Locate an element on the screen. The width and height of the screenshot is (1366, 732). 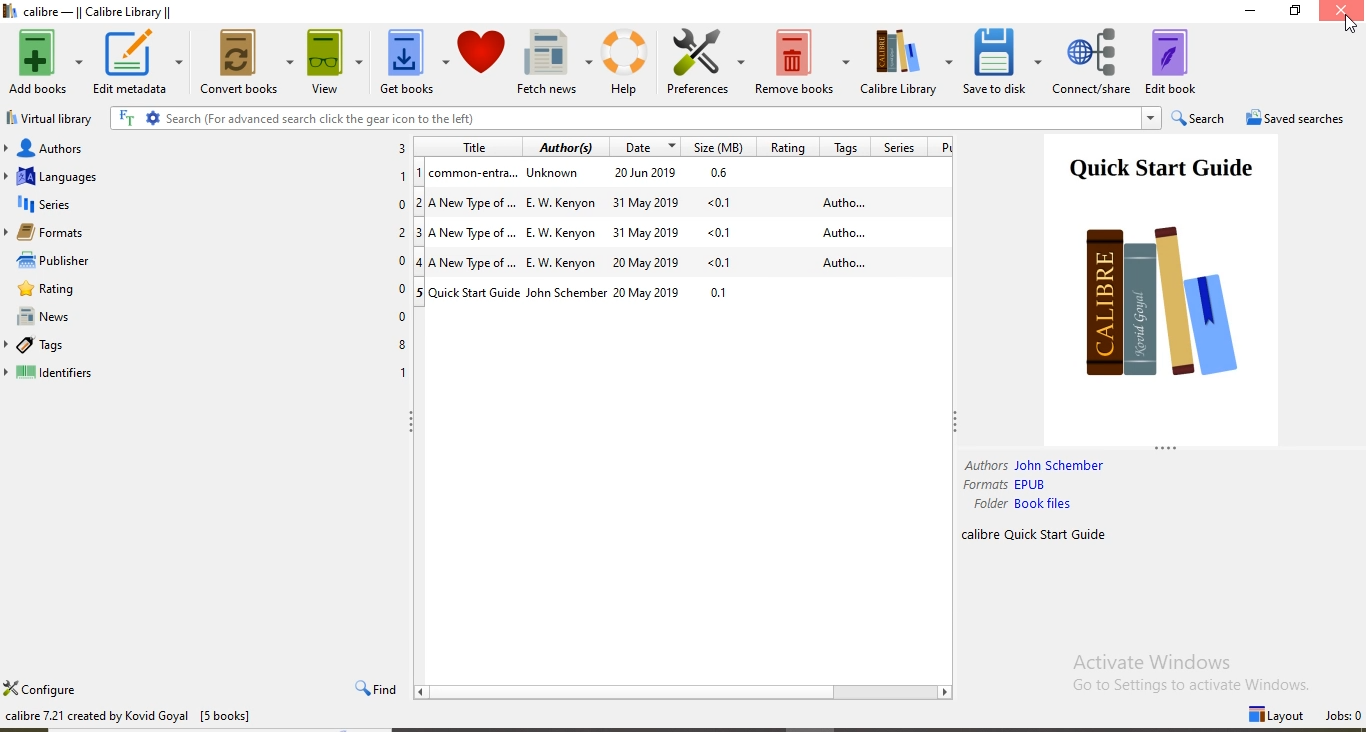
E W Kenyon is located at coordinates (565, 261).